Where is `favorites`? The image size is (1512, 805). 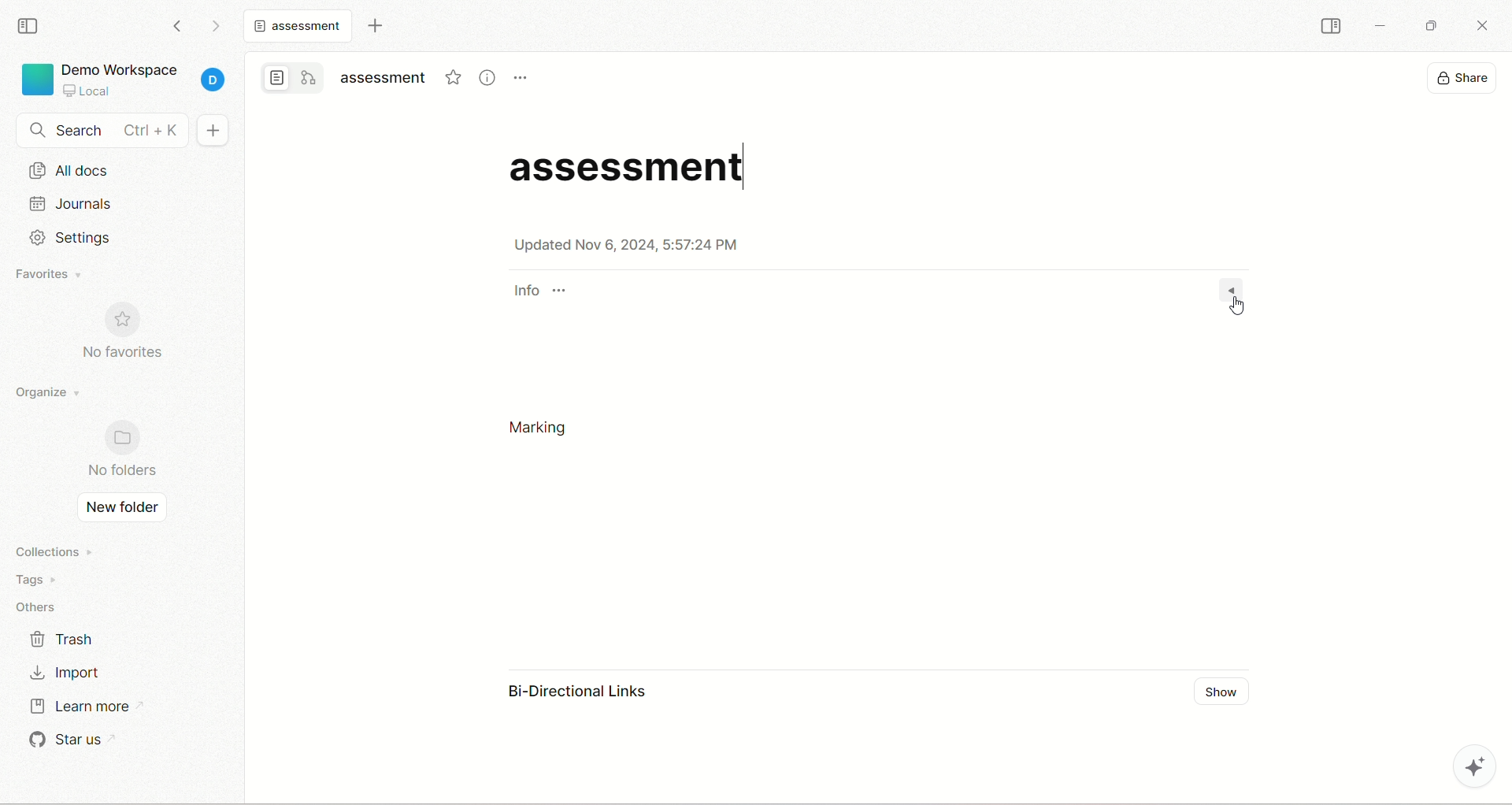
favorites is located at coordinates (453, 76).